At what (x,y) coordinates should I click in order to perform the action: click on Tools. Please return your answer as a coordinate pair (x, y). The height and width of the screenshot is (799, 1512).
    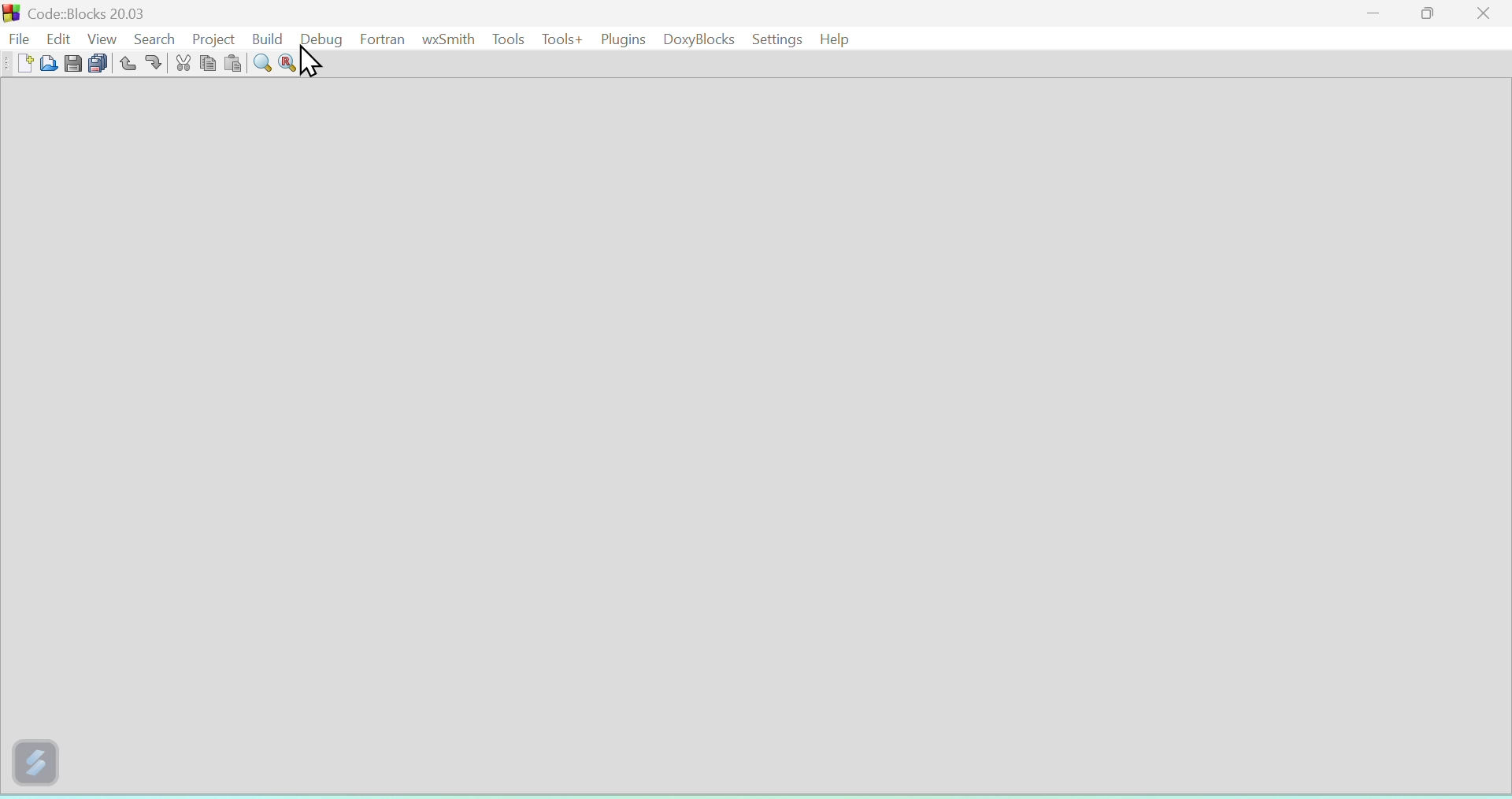
    Looking at the image, I should click on (507, 37).